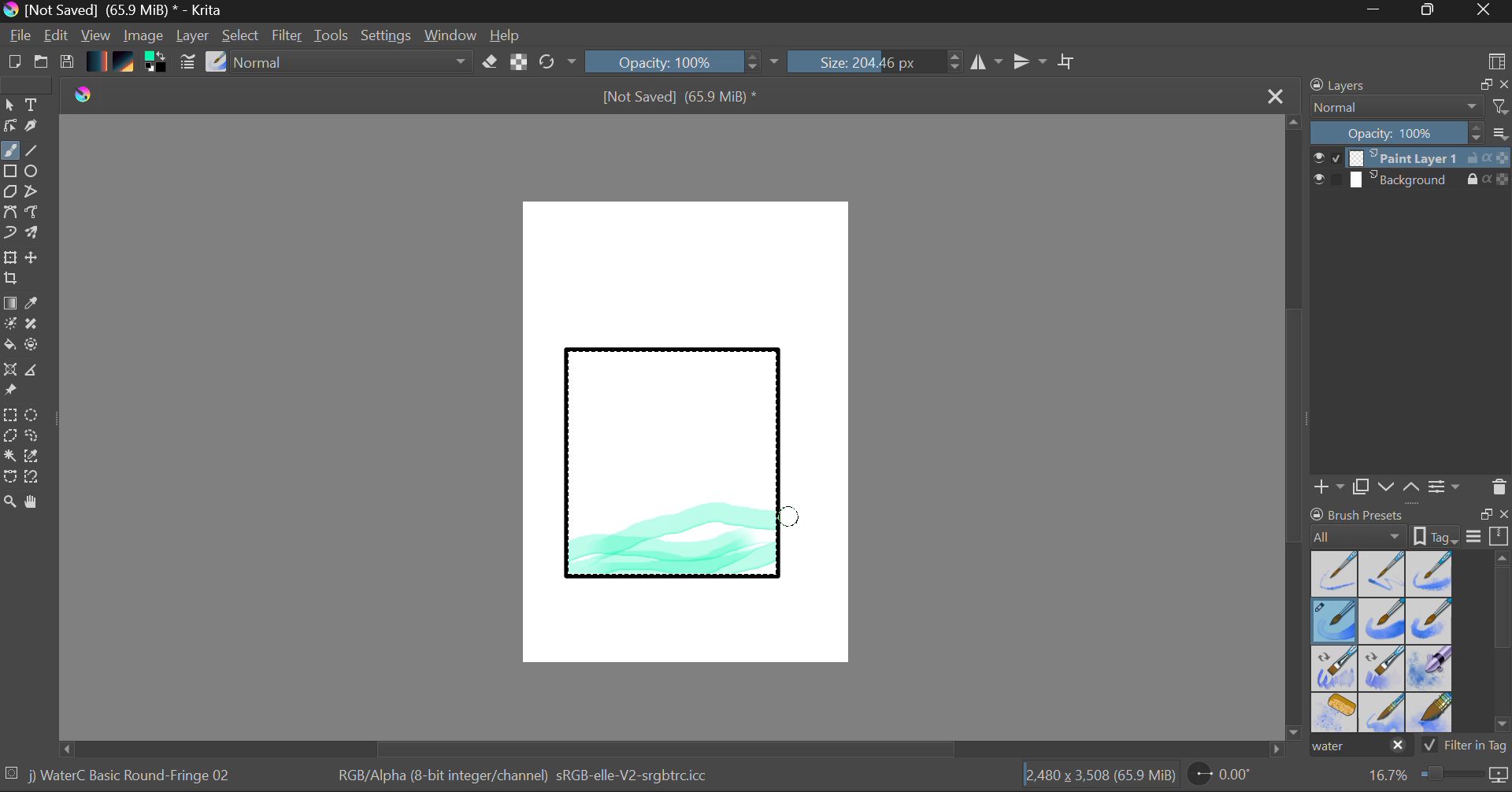  What do you see at coordinates (1410, 525) in the screenshot?
I see `Brush presets docket` at bounding box center [1410, 525].